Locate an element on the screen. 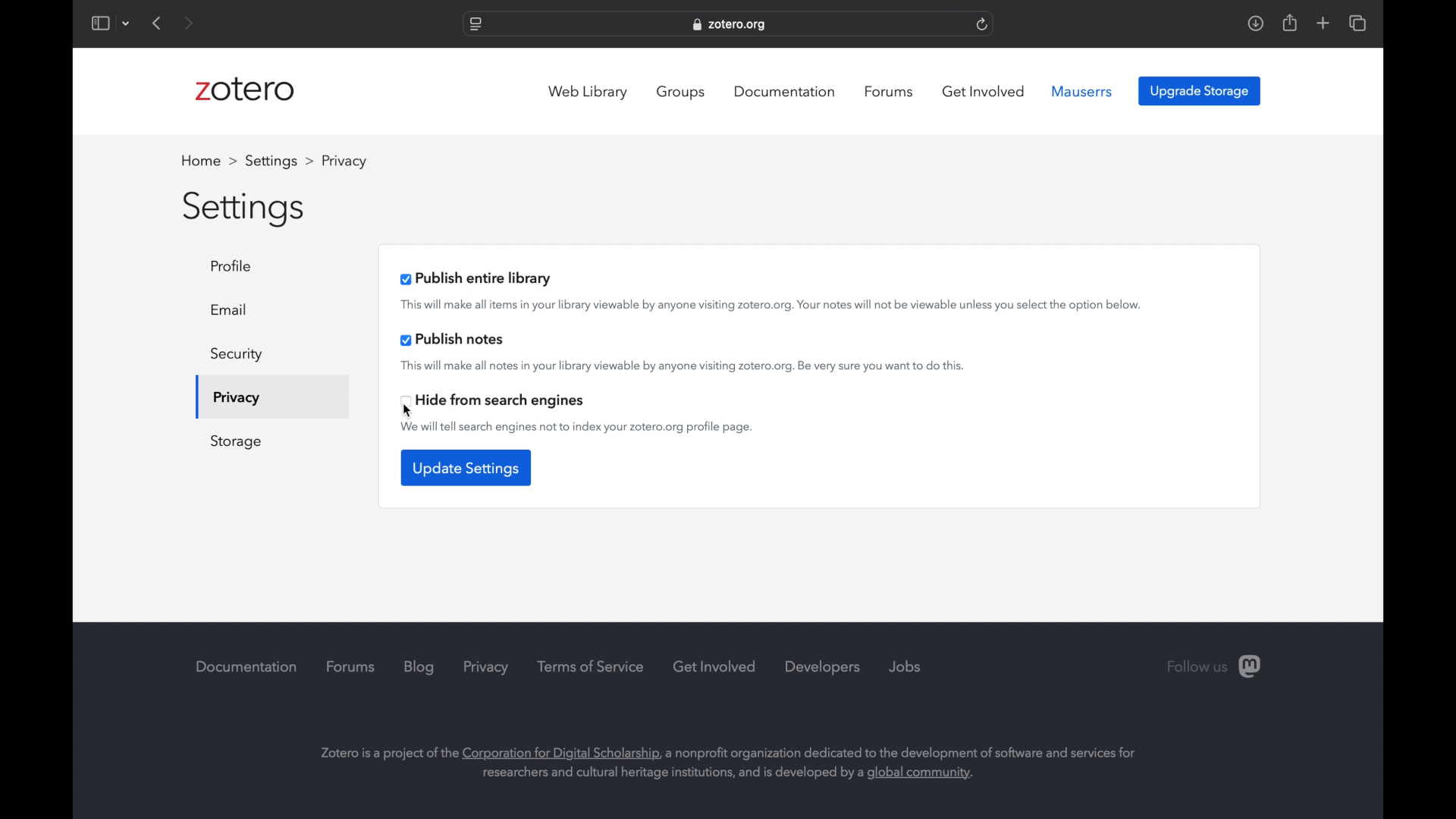  zotero is located at coordinates (249, 90).